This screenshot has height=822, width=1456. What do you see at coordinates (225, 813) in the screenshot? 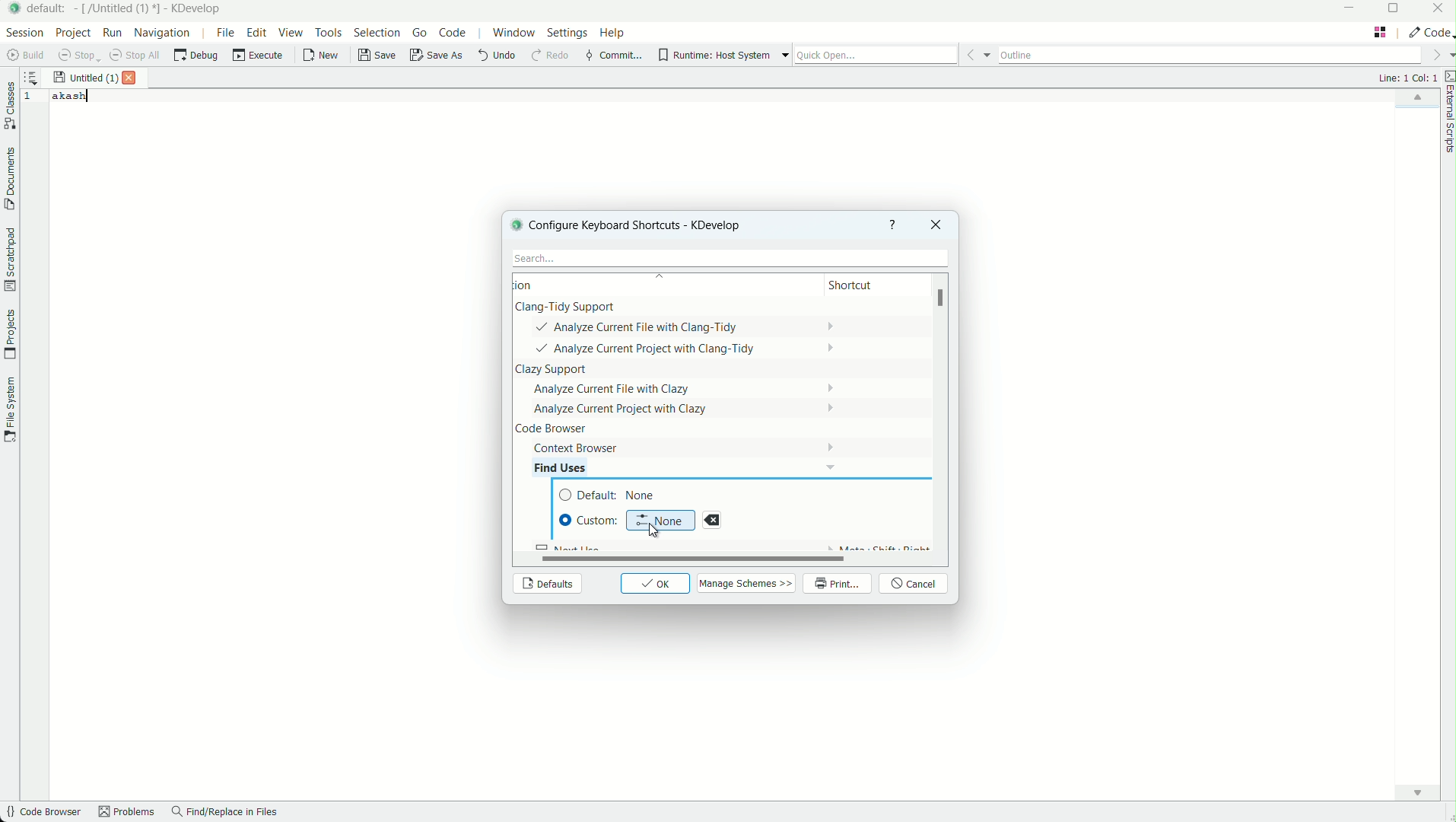
I see `find/replace in files` at bounding box center [225, 813].